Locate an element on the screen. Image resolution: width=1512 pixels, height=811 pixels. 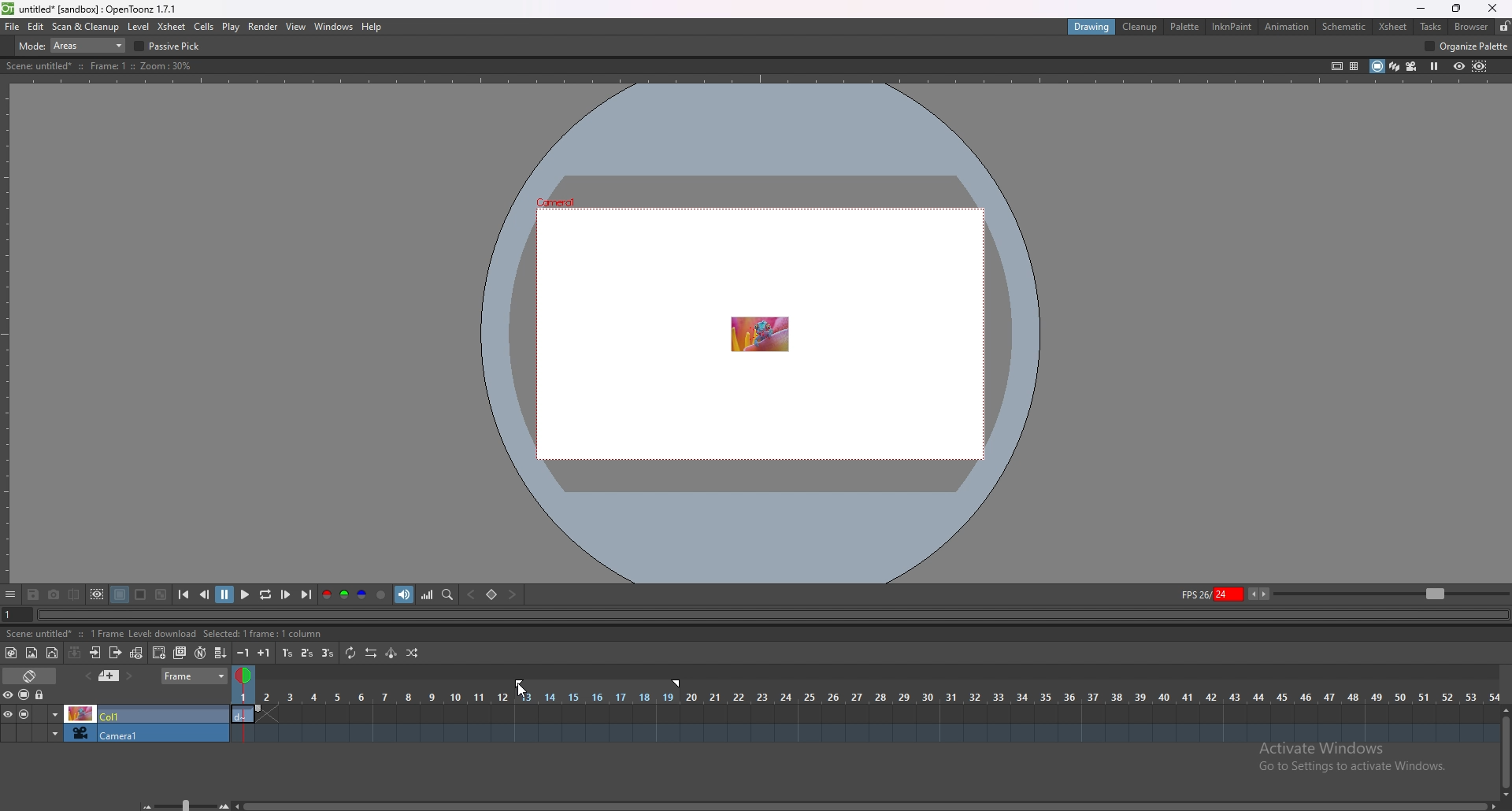
current frame is located at coordinates (13, 617).